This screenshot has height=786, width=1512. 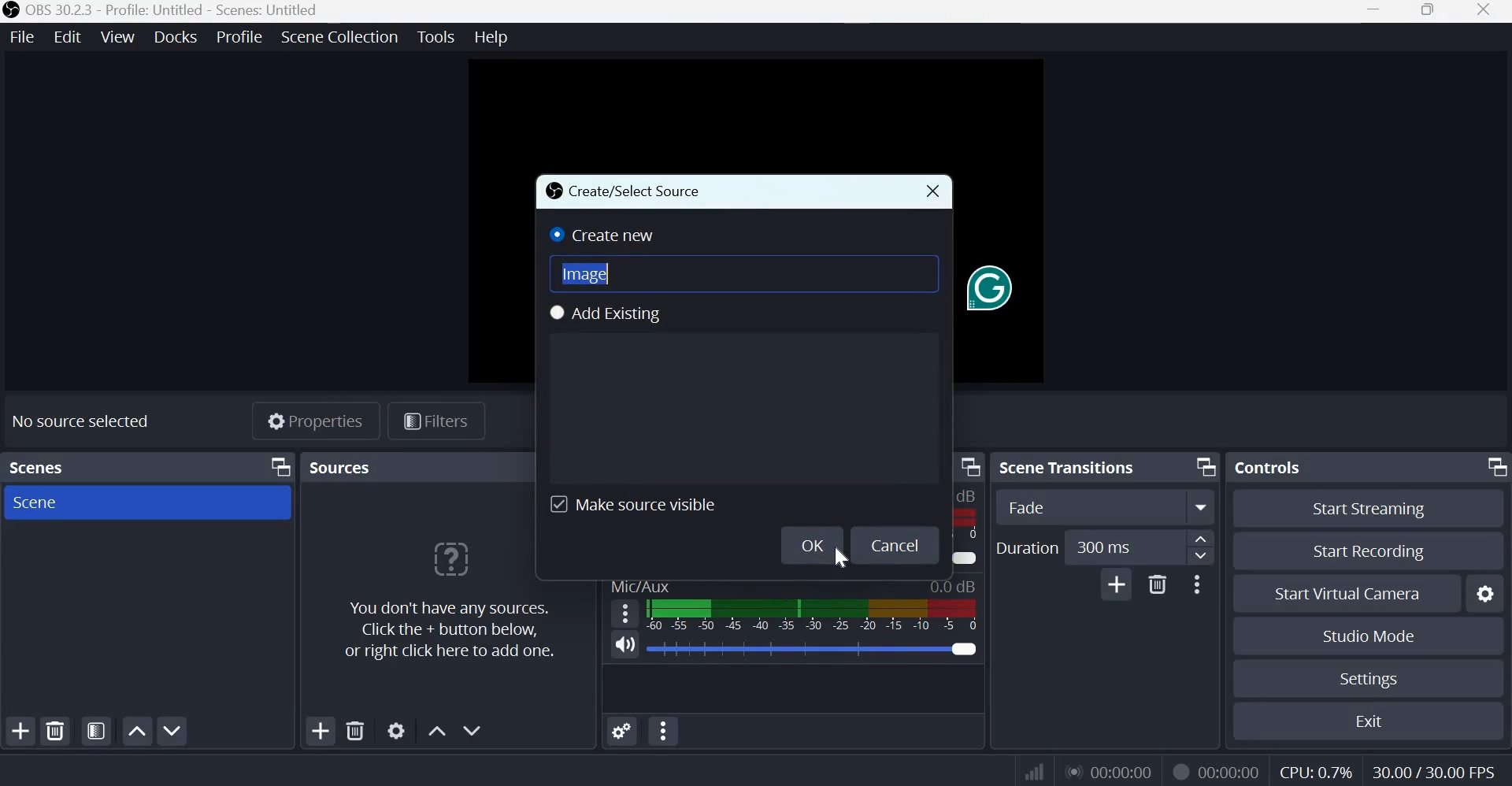 I want to click on help, so click(x=493, y=36).